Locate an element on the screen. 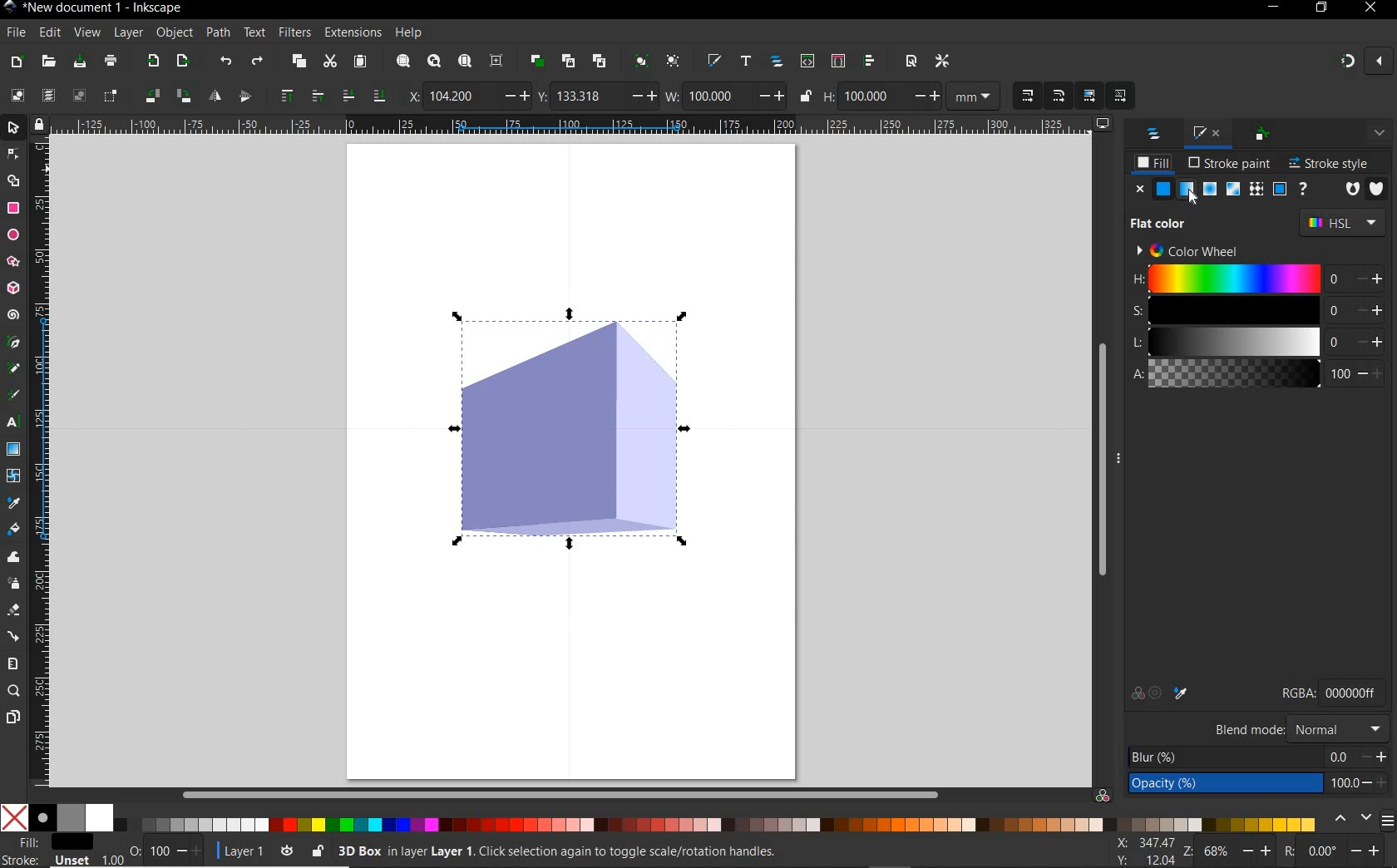  menu is located at coordinates (1388, 820).